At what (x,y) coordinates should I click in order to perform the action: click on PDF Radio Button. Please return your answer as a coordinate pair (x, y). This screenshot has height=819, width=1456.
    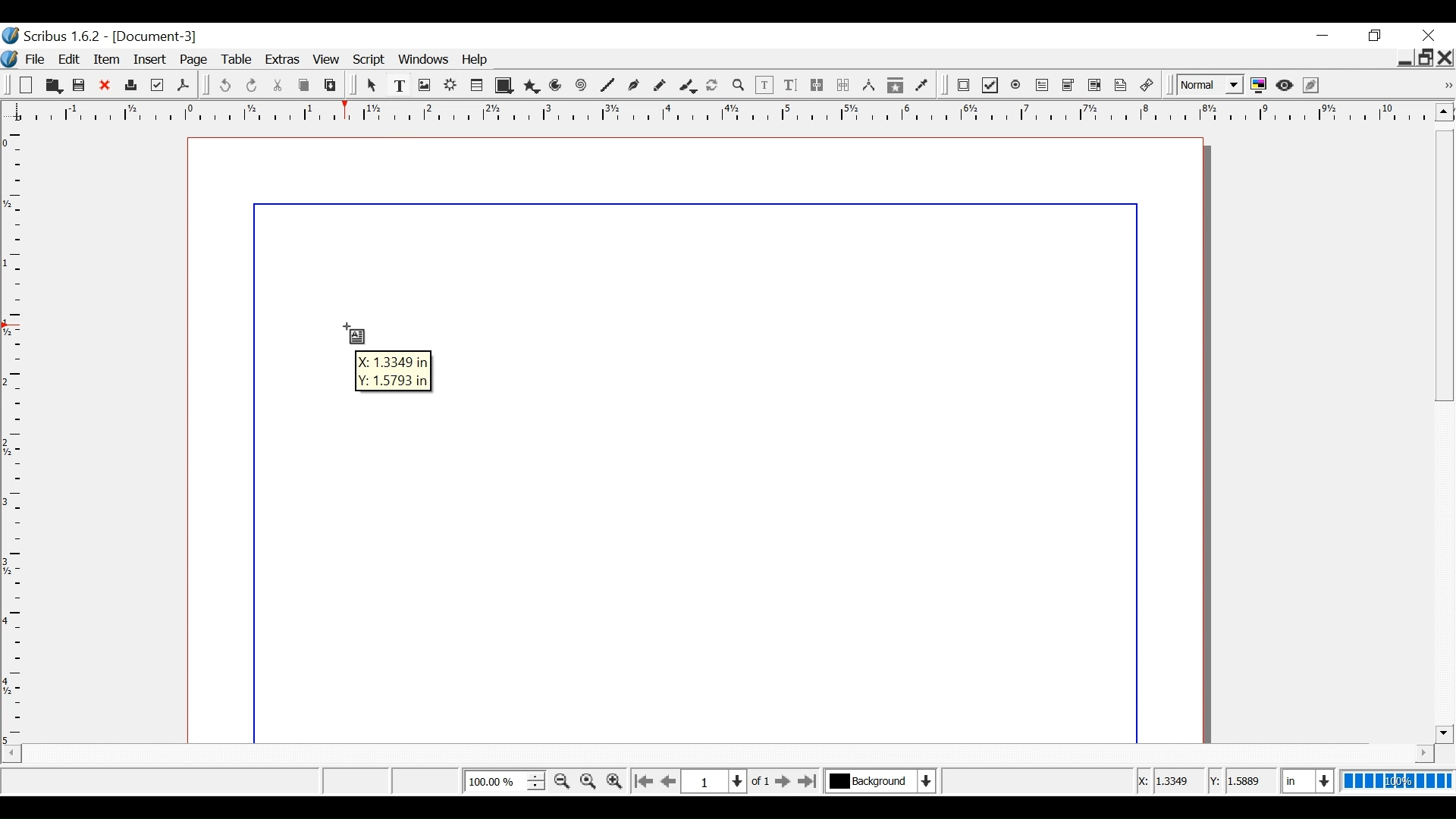
    Looking at the image, I should click on (1017, 86).